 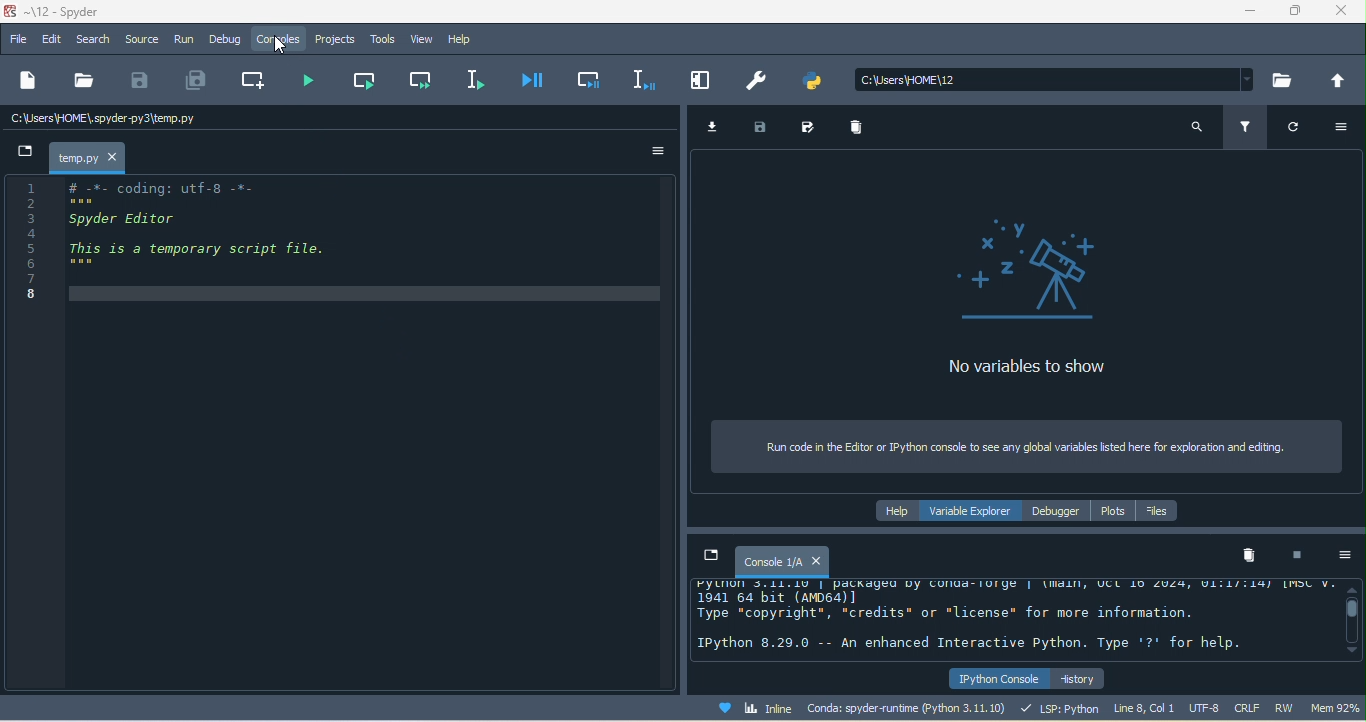 What do you see at coordinates (252, 81) in the screenshot?
I see `create new cell` at bounding box center [252, 81].